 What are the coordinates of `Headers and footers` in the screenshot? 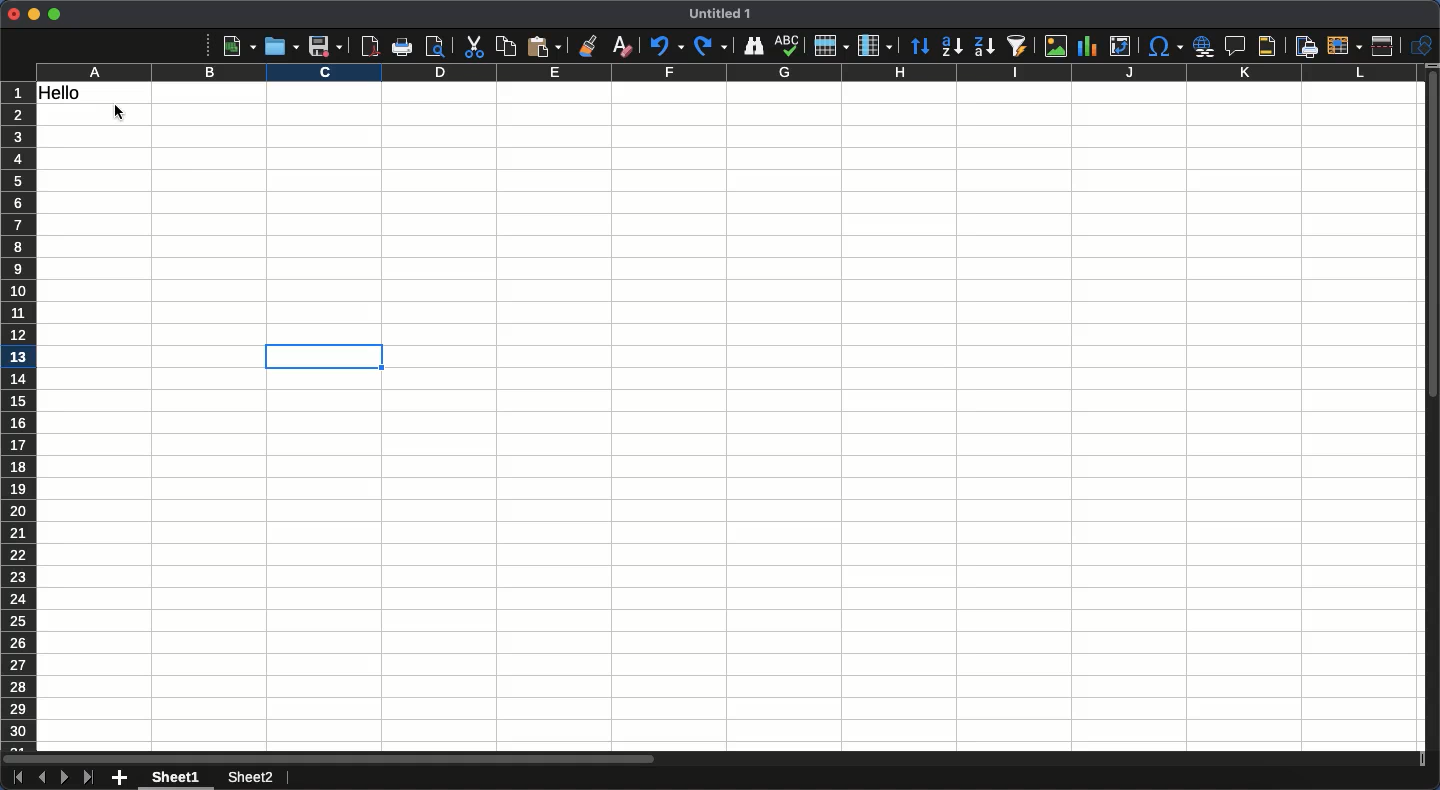 It's located at (1265, 47).